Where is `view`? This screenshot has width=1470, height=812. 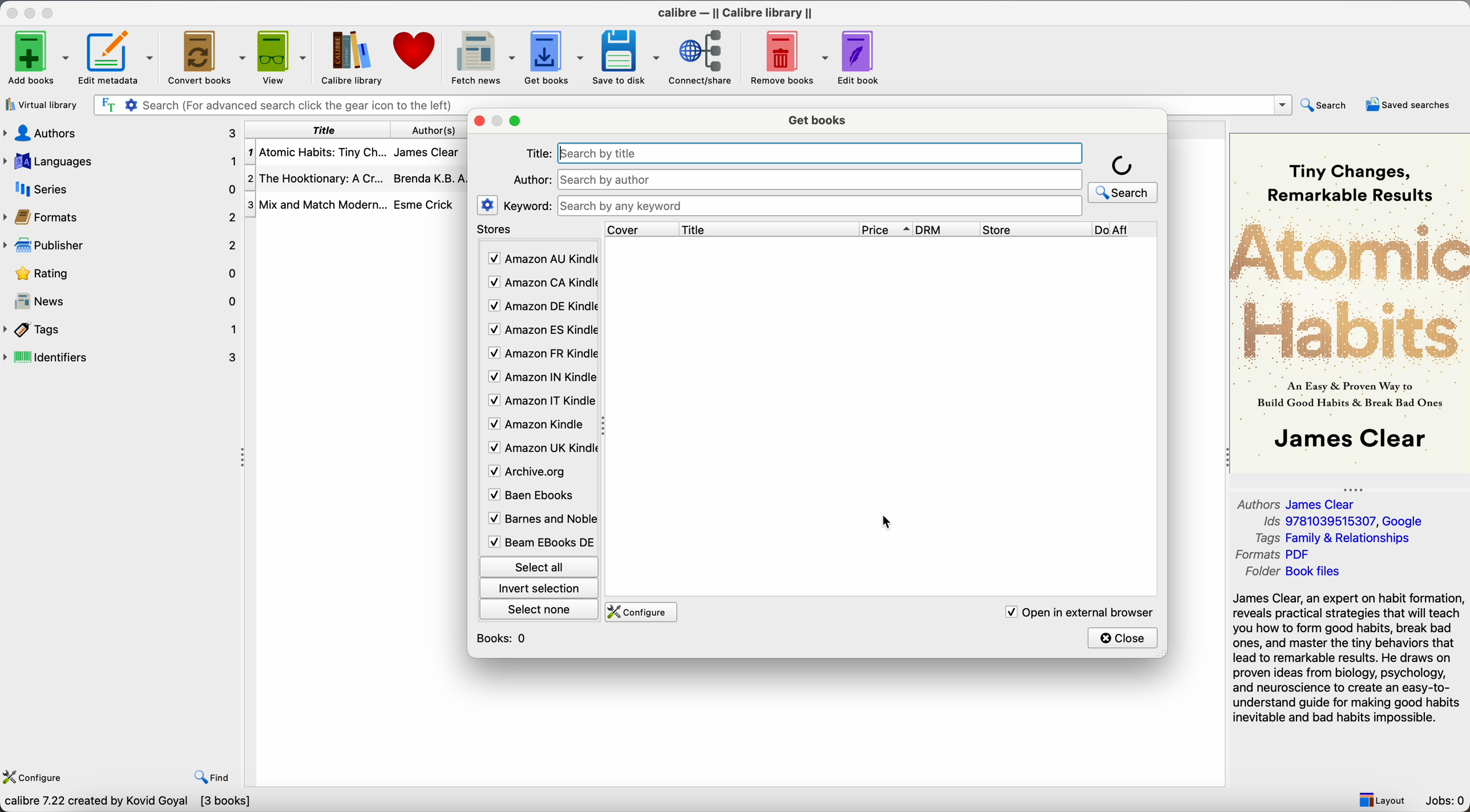 view is located at coordinates (281, 57).